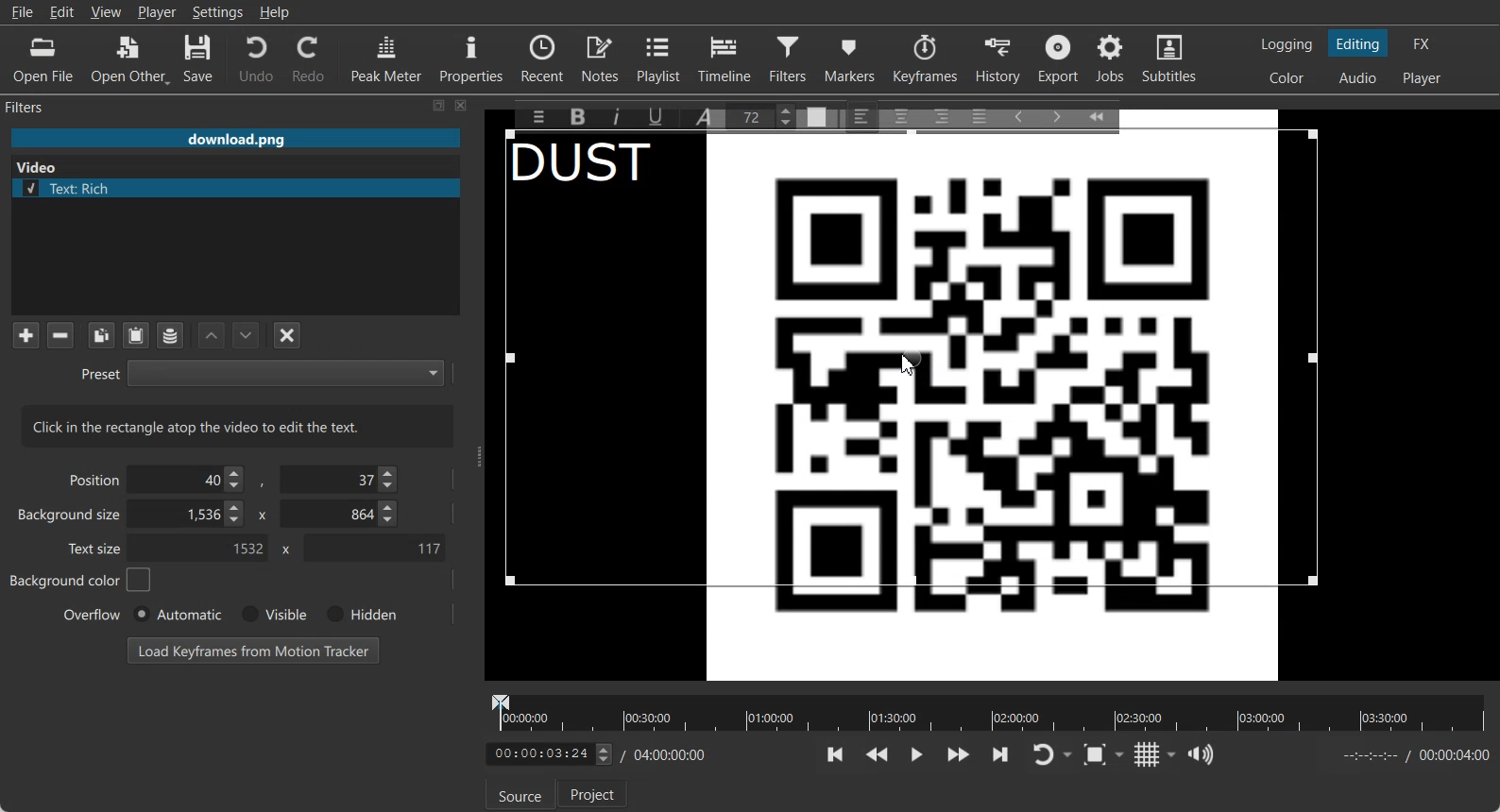  I want to click on Text rich file, so click(243, 188).